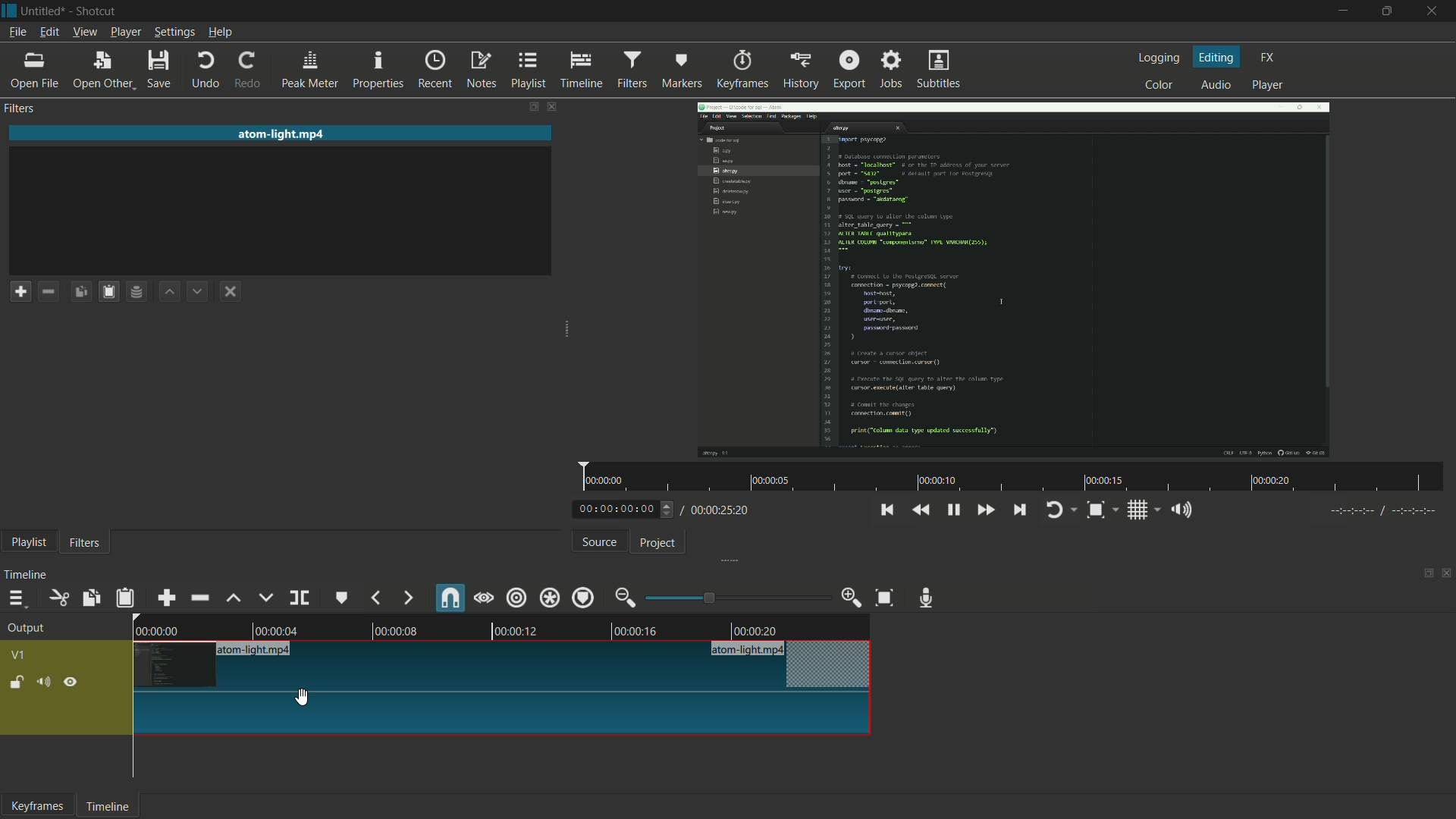 The height and width of the screenshot is (819, 1456). I want to click on scrub while dragging, so click(484, 598).